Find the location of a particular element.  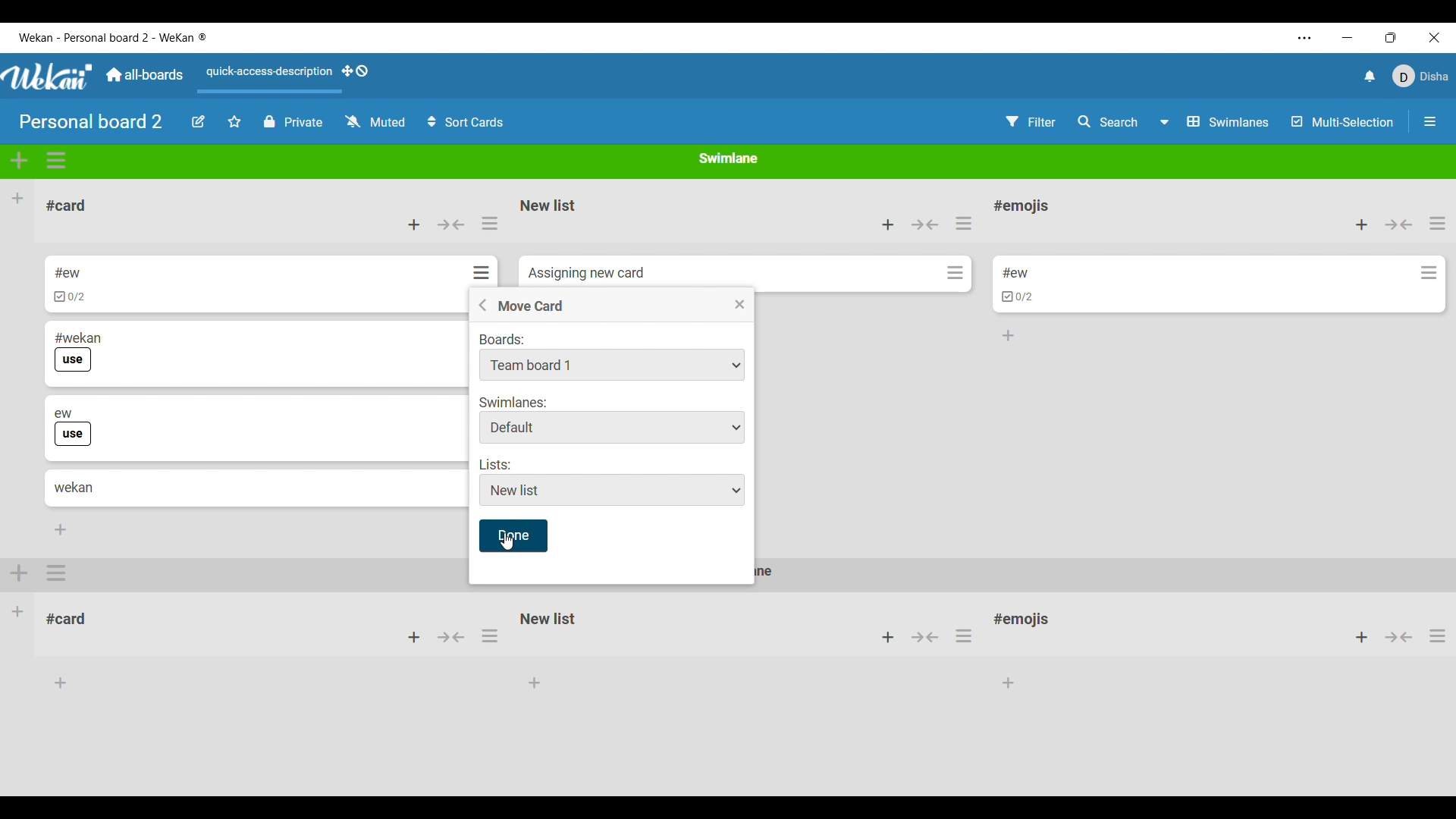

add is located at coordinates (884, 638).